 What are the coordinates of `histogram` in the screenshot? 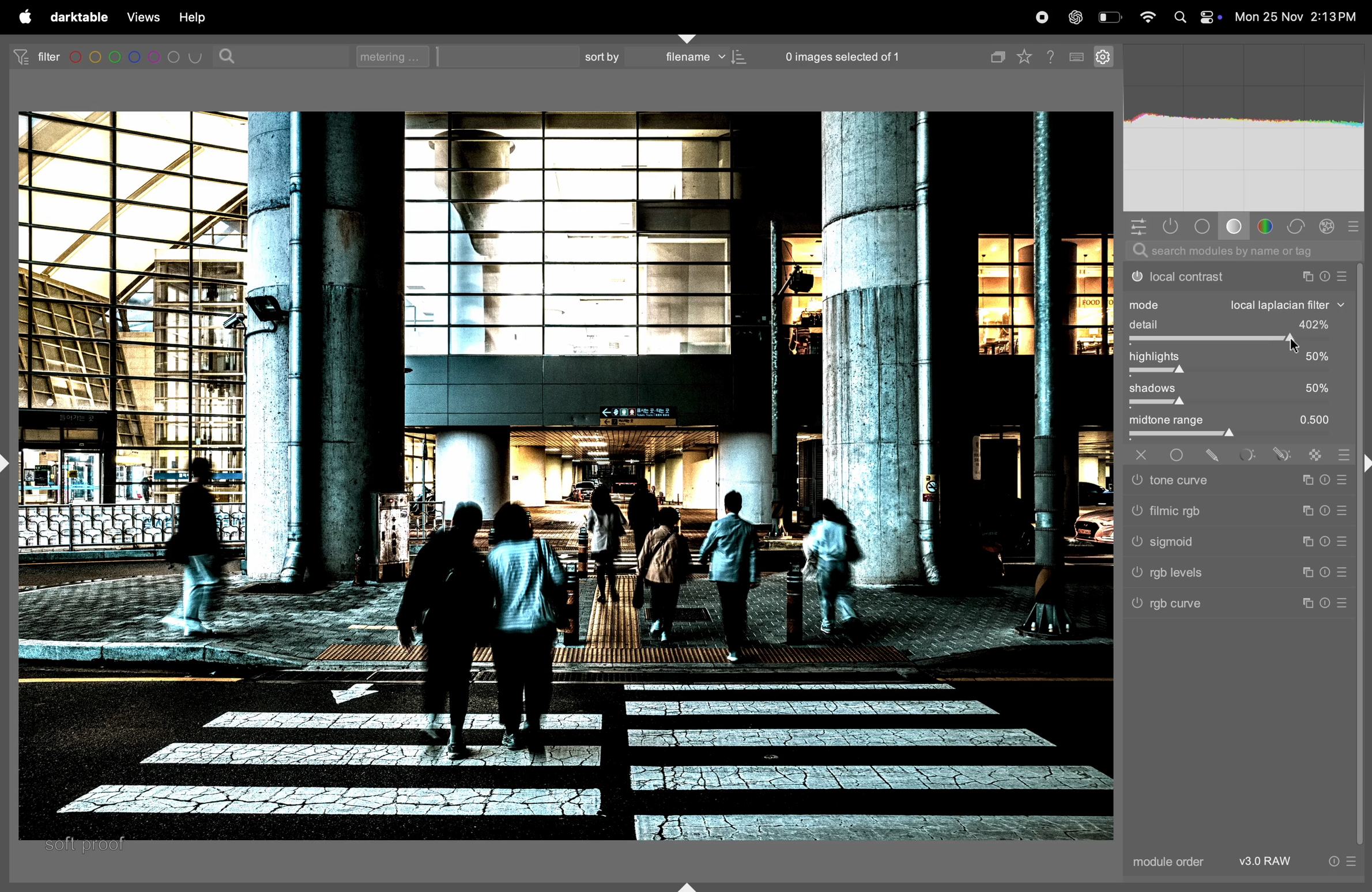 It's located at (1243, 129).